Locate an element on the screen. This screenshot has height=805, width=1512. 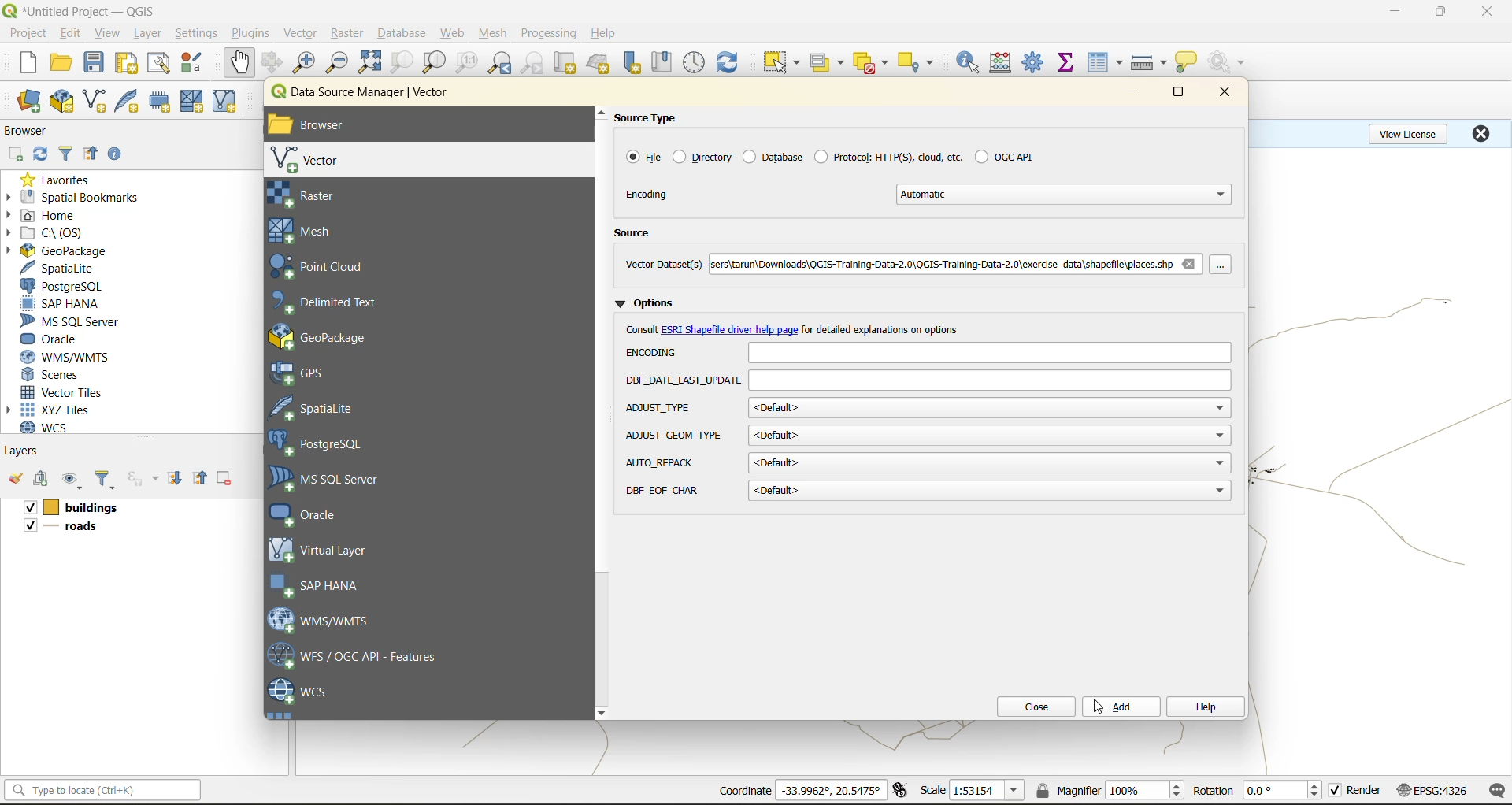
help info is located at coordinates (885, 329).